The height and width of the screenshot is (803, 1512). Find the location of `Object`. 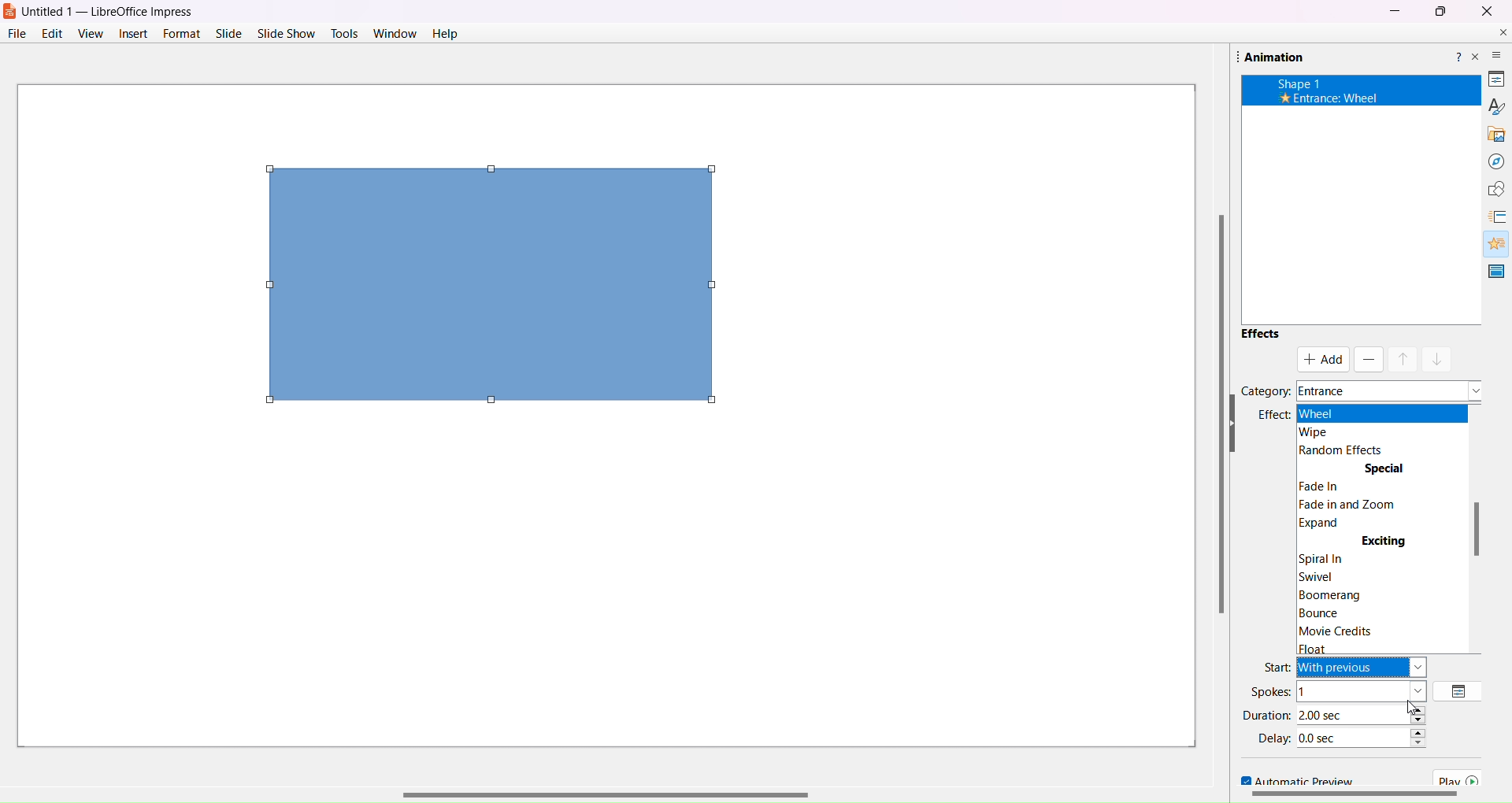

Object is located at coordinates (487, 286).